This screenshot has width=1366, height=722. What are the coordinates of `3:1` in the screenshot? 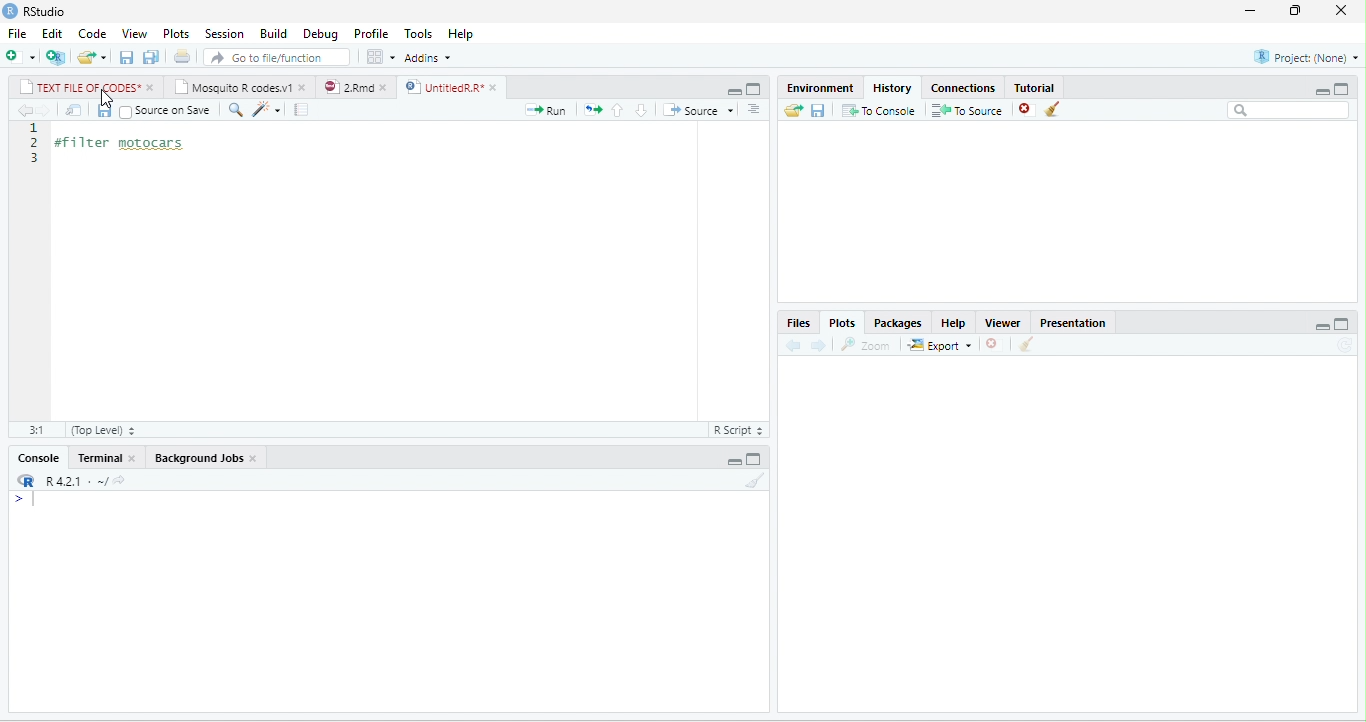 It's located at (37, 430).